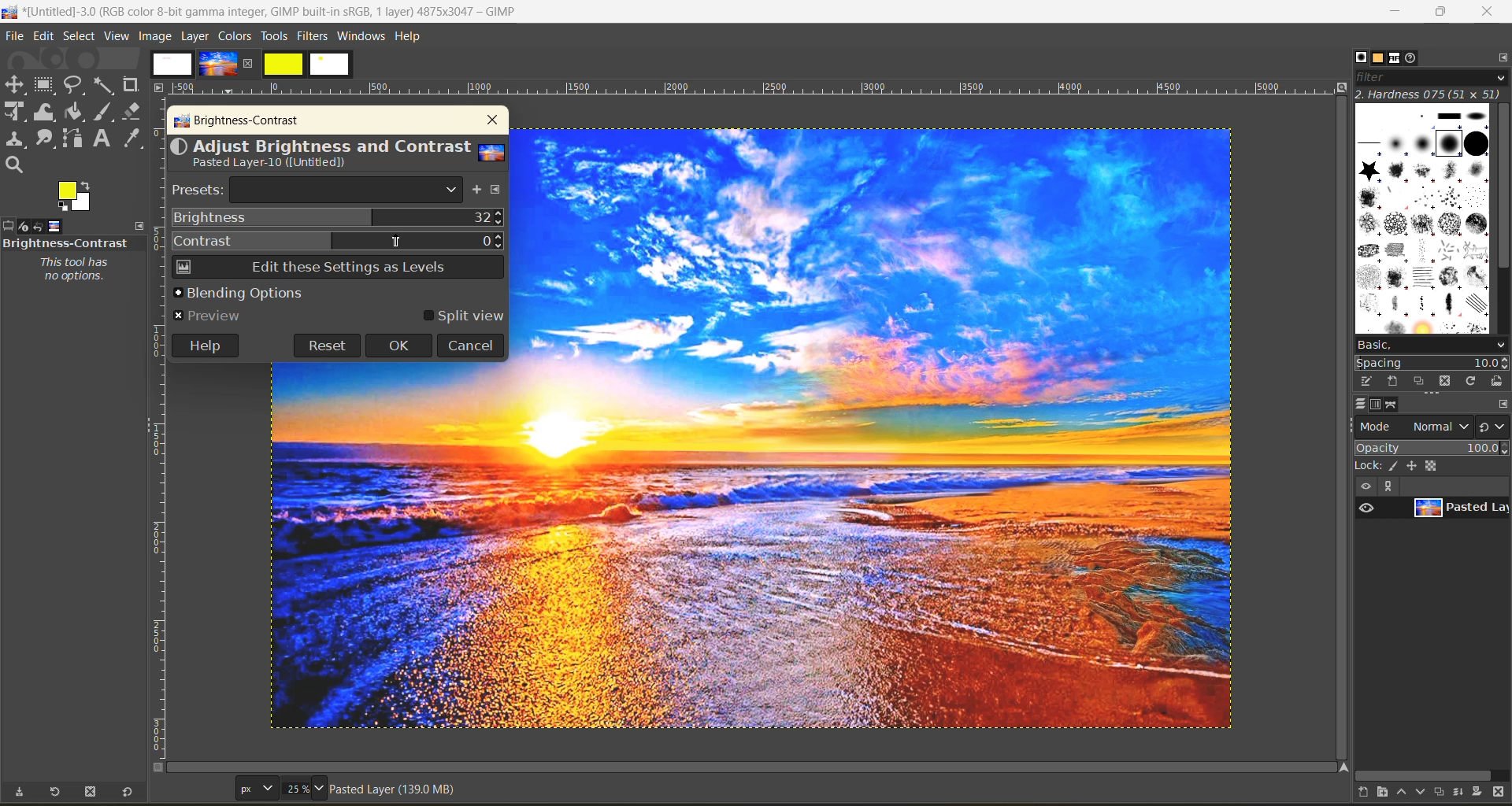 The image size is (1512, 806). What do you see at coordinates (1406, 794) in the screenshot?
I see `raise this layer` at bounding box center [1406, 794].